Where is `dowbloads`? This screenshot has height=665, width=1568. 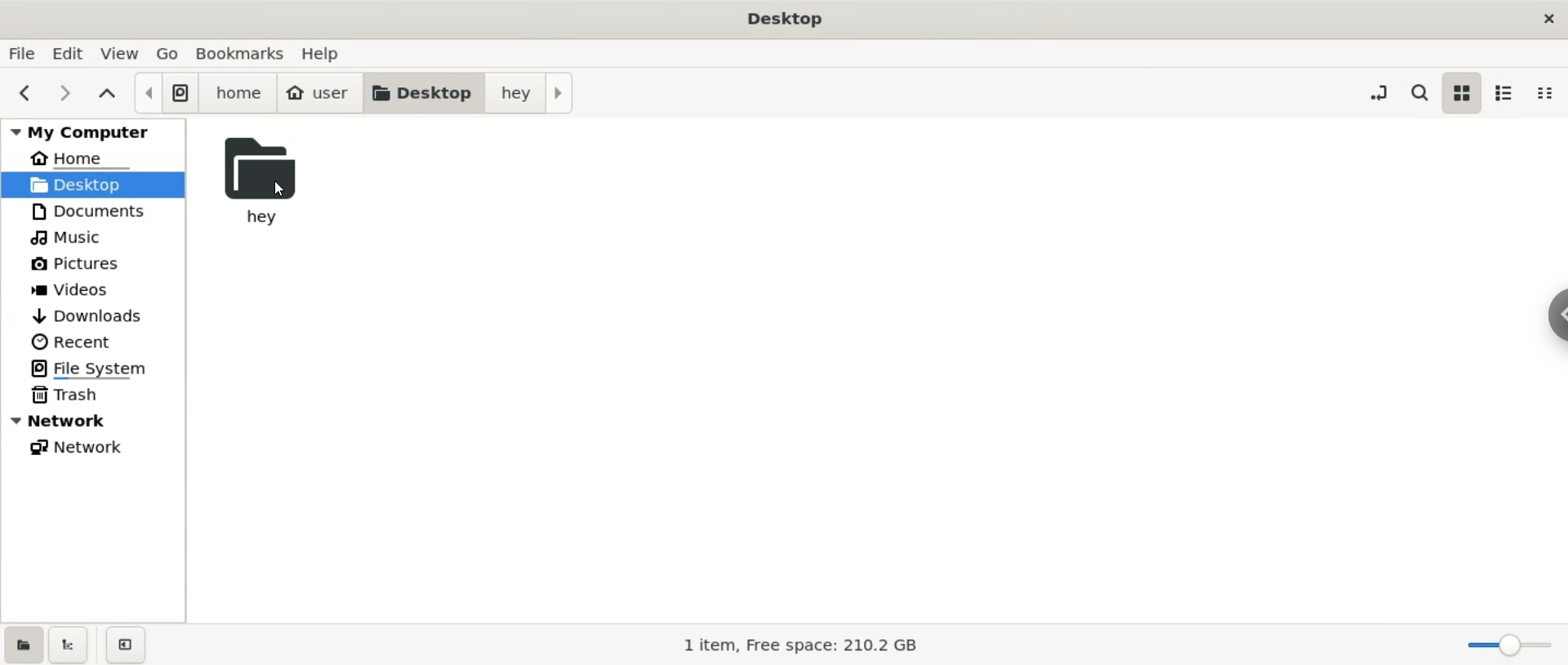
dowbloads is located at coordinates (94, 315).